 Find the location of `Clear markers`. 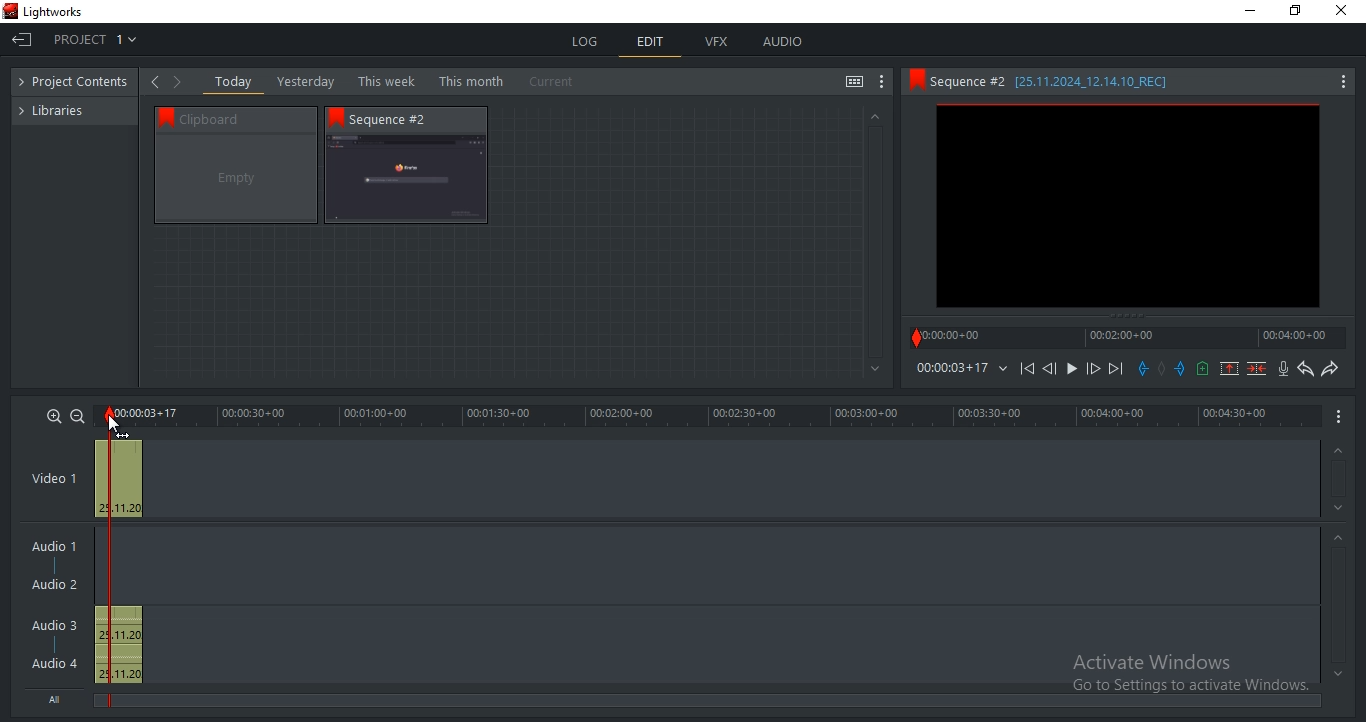

Clear markers is located at coordinates (1164, 370).